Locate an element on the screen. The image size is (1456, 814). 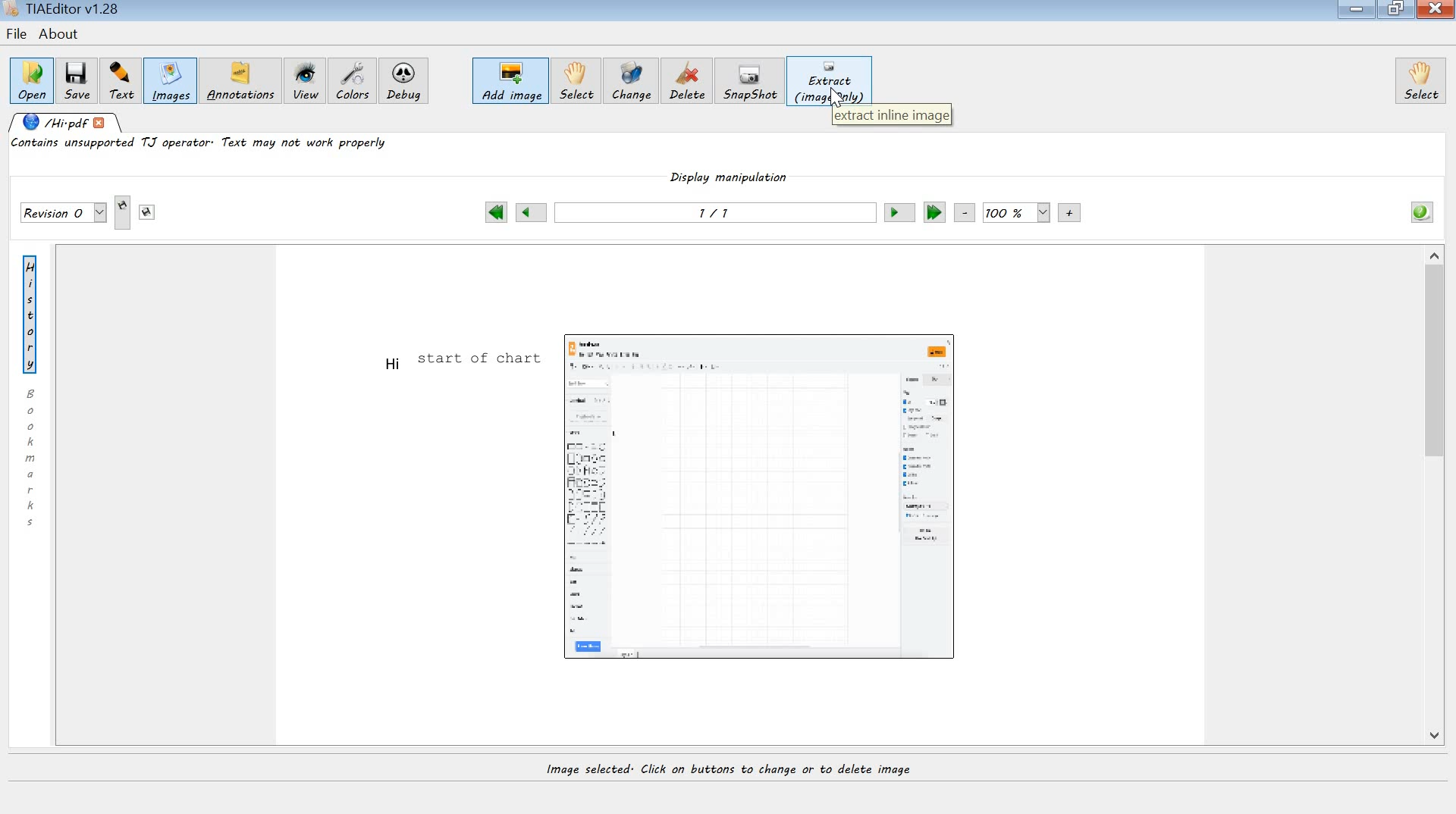
add image is located at coordinates (511, 83).